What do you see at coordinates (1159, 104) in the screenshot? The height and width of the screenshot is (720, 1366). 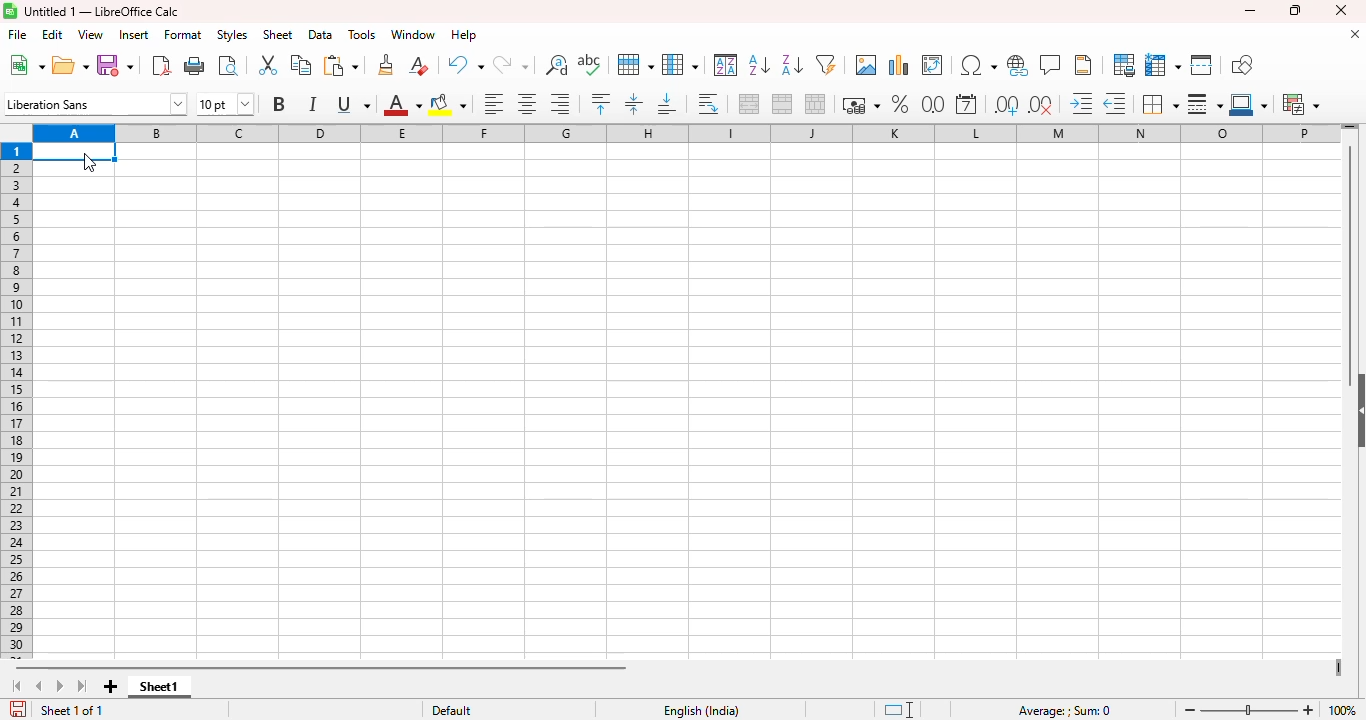 I see `borders` at bounding box center [1159, 104].